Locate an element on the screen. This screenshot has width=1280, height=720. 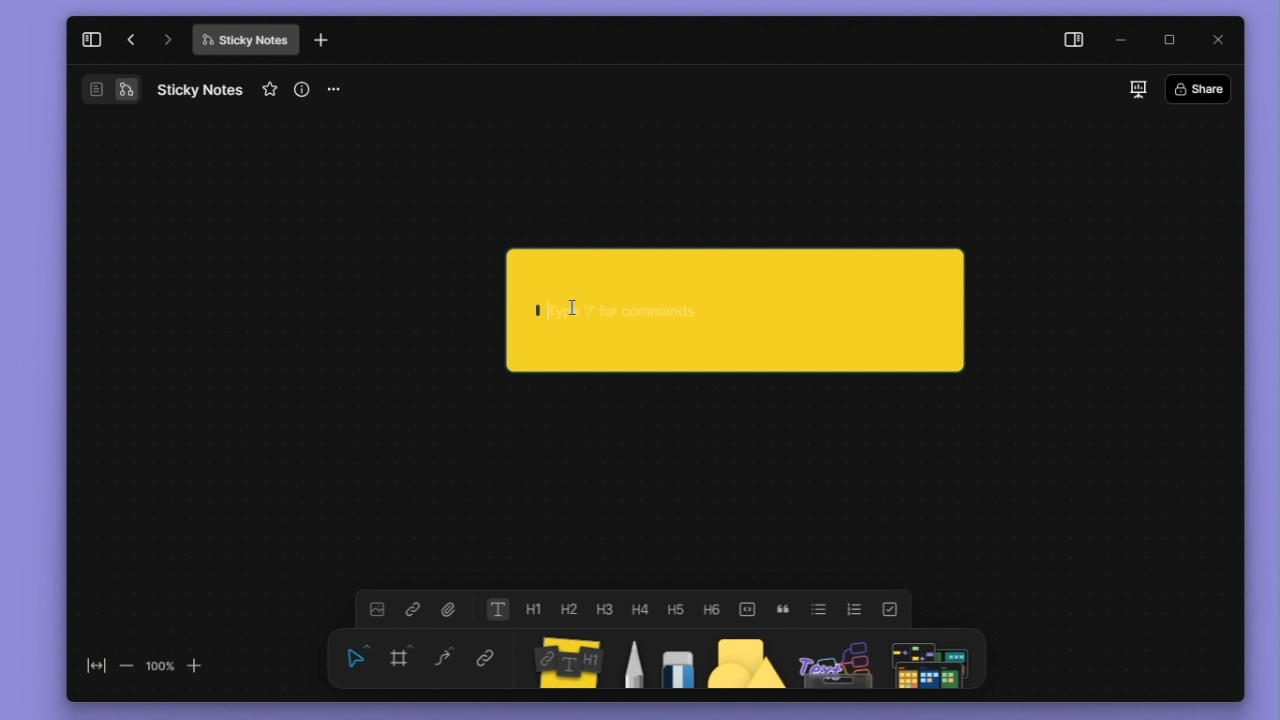
block quote is located at coordinates (786, 611).